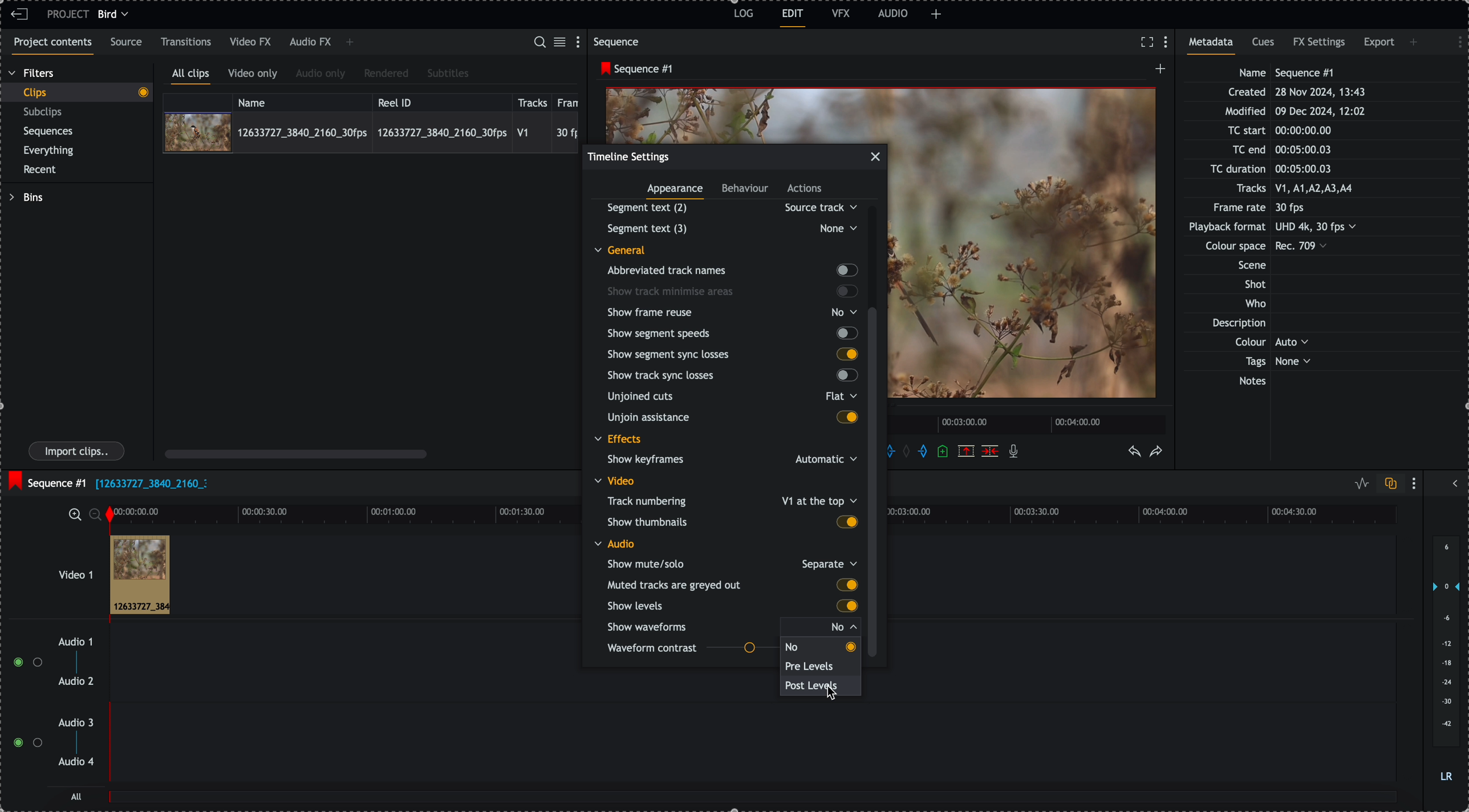 The width and height of the screenshot is (1469, 812). What do you see at coordinates (727, 461) in the screenshot?
I see `show keyframes` at bounding box center [727, 461].